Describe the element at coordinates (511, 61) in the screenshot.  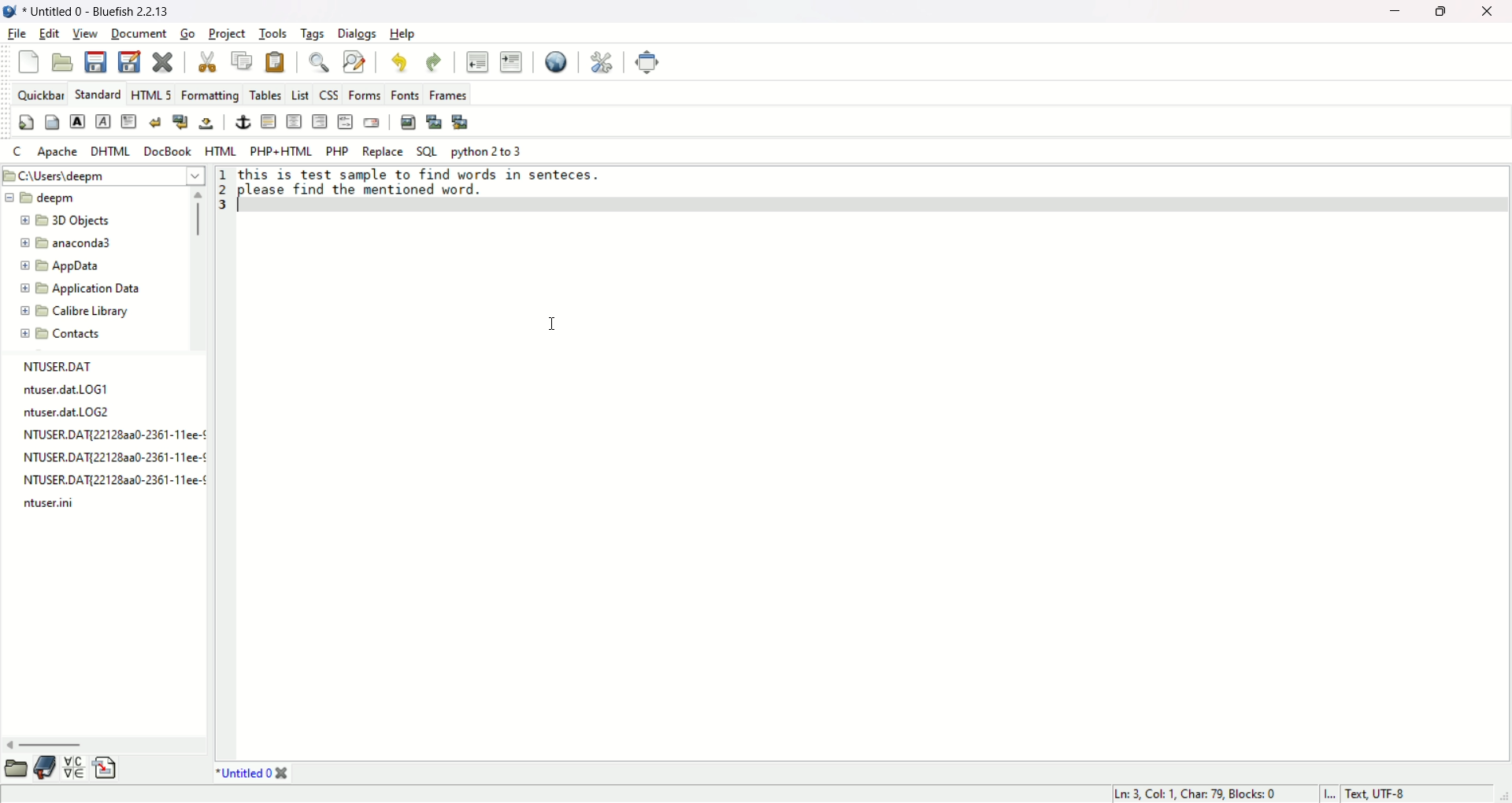
I see `indent` at that location.